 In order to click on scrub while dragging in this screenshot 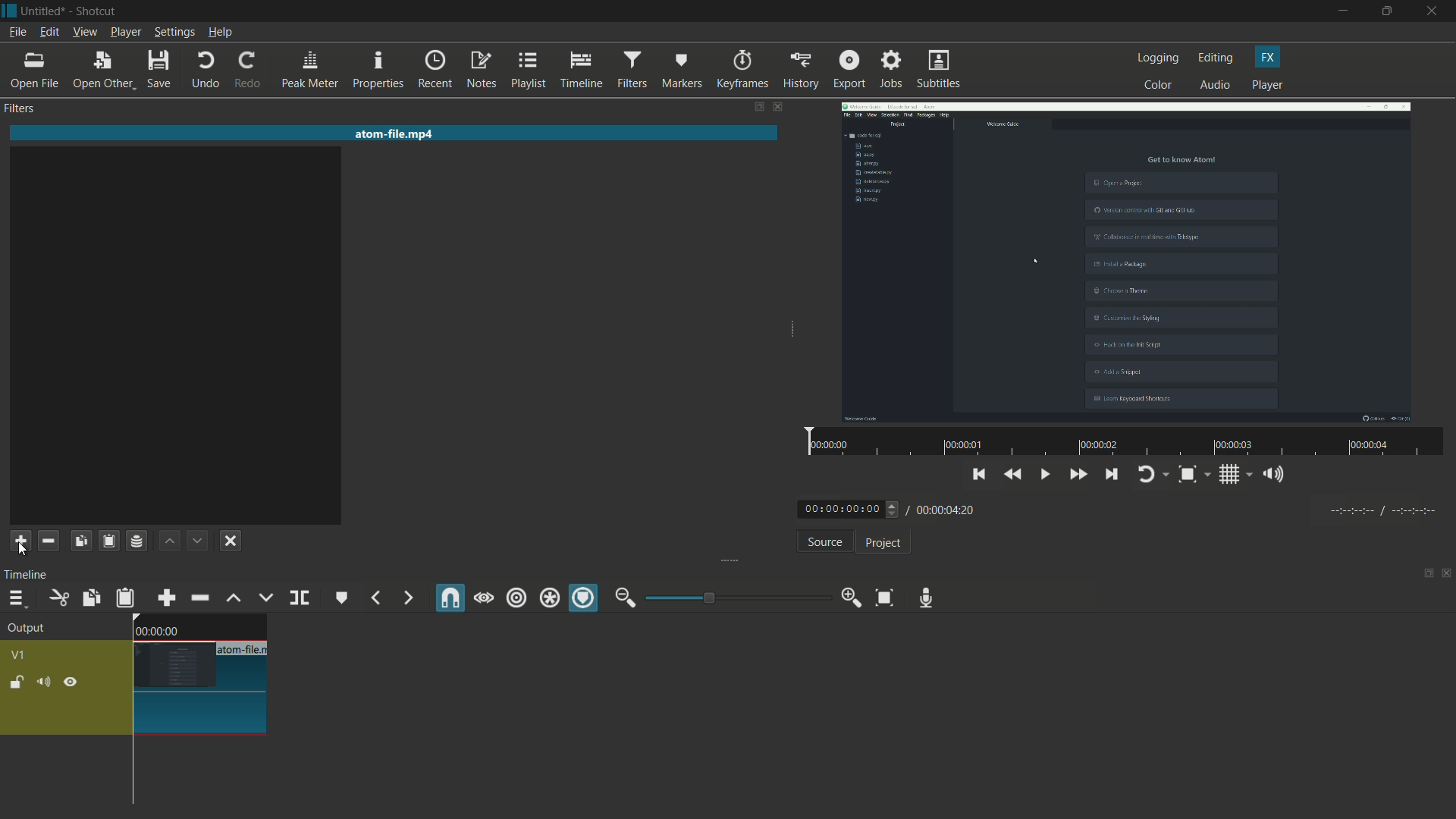, I will do `click(483, 598)`.